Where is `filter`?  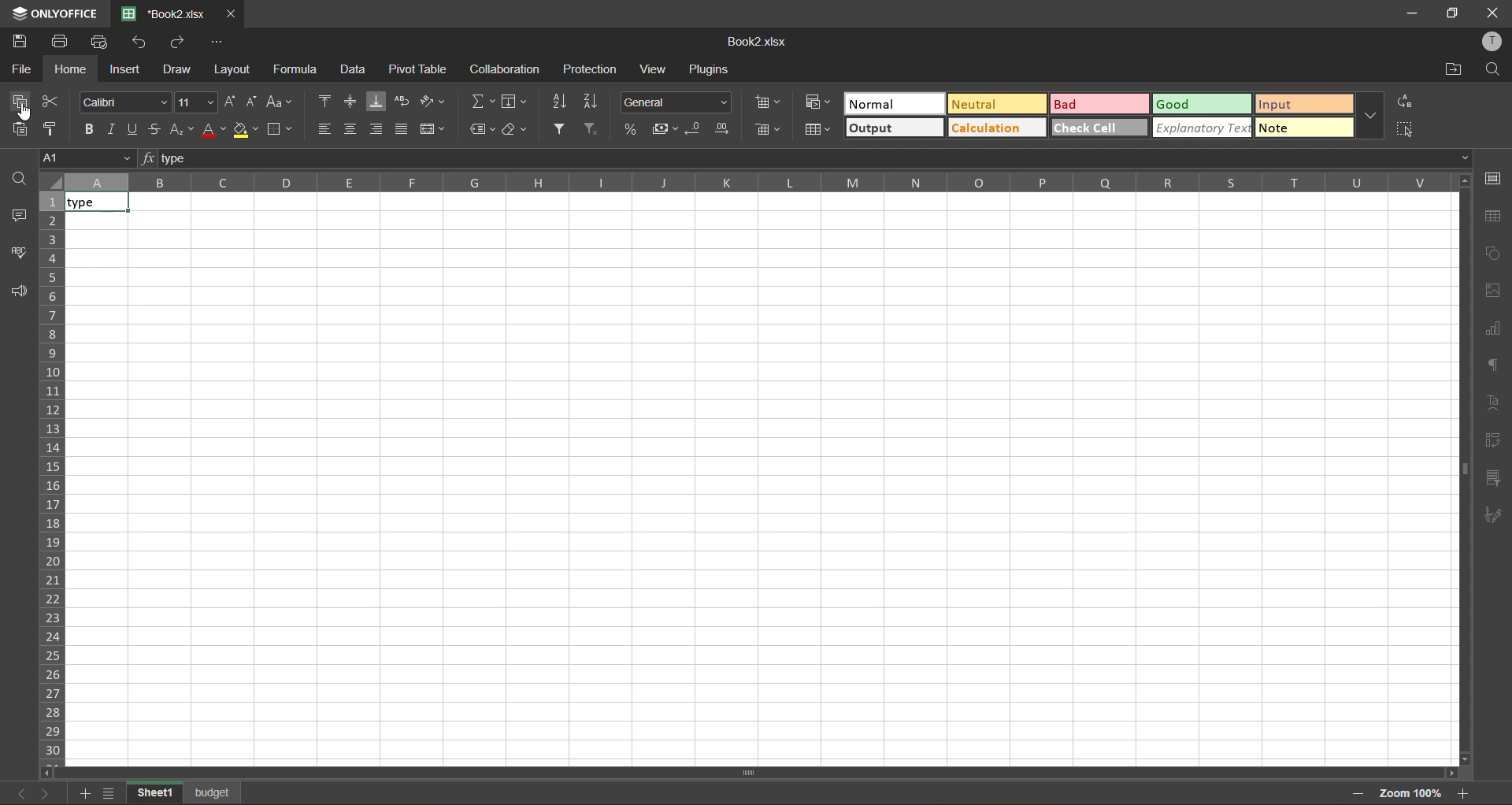 filter is located at coordinates (559, 131).